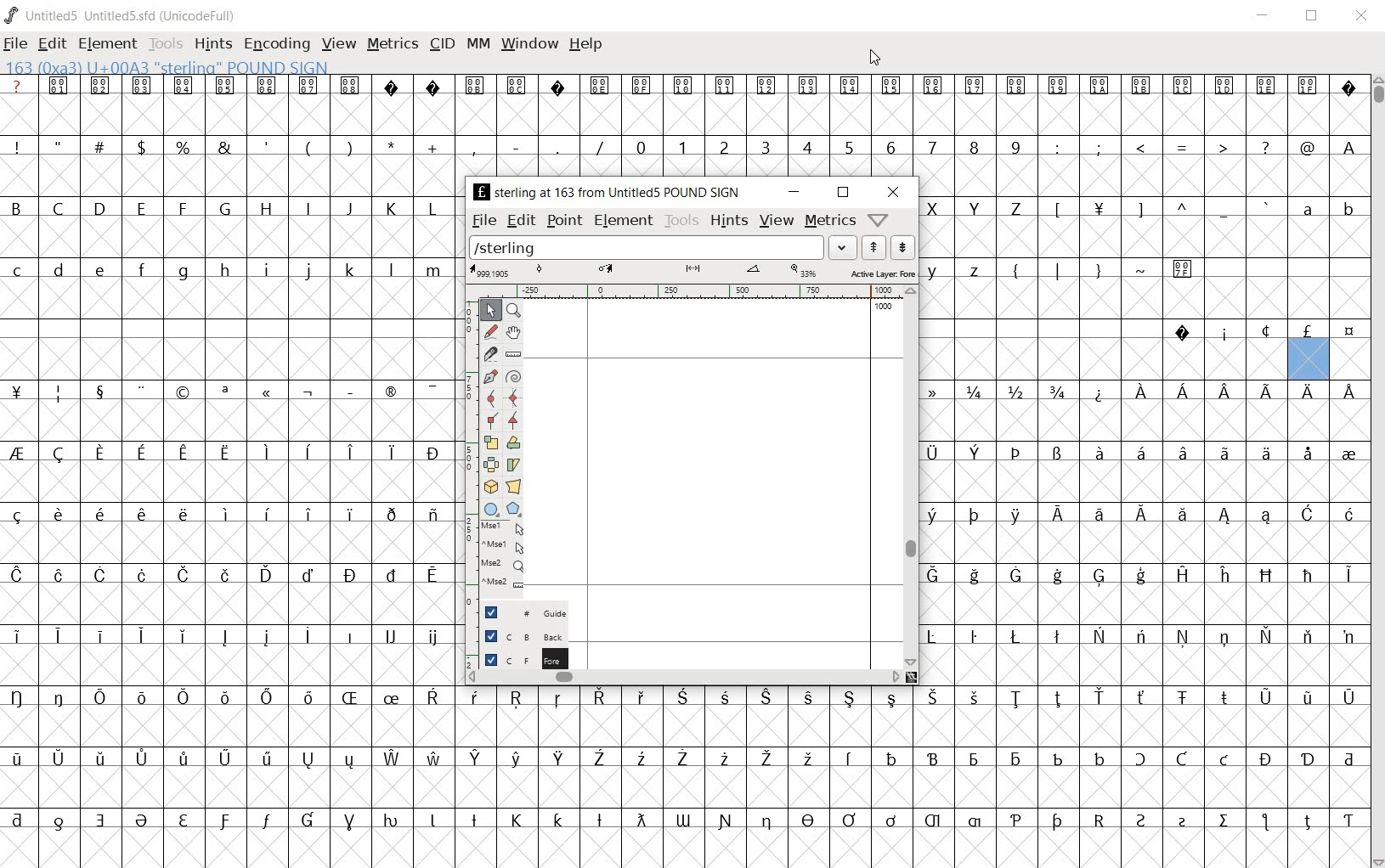 The height and width of the screenshot is (868, 1385). Describe the element at coordinates (516, 421) in the screenshot. I see `Tangent` at that location.